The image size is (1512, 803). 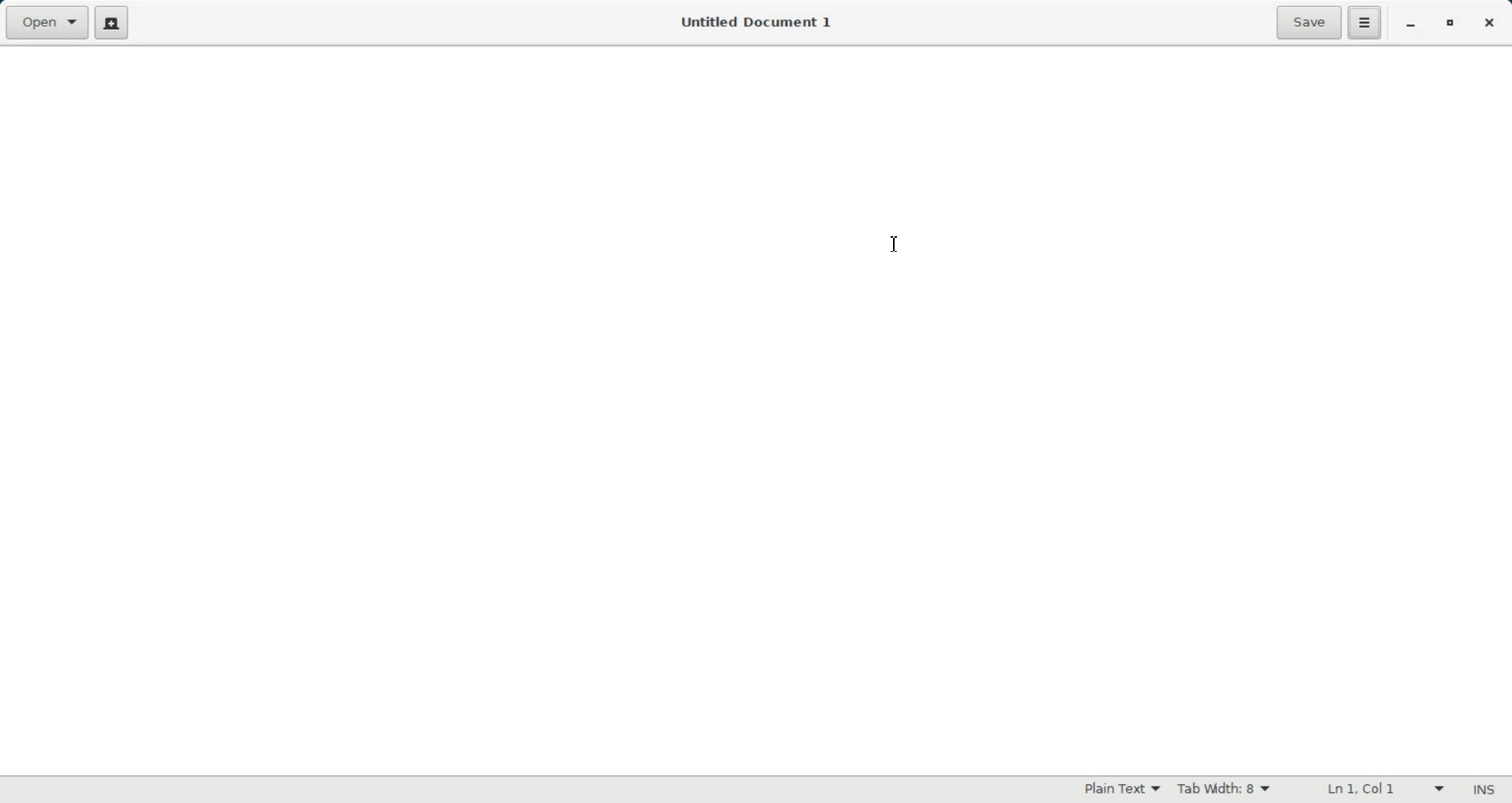 What do you see at coordinates (1223, 789) in the screenshot?
I see `Tab Width` at bounding box center [1223, 789].